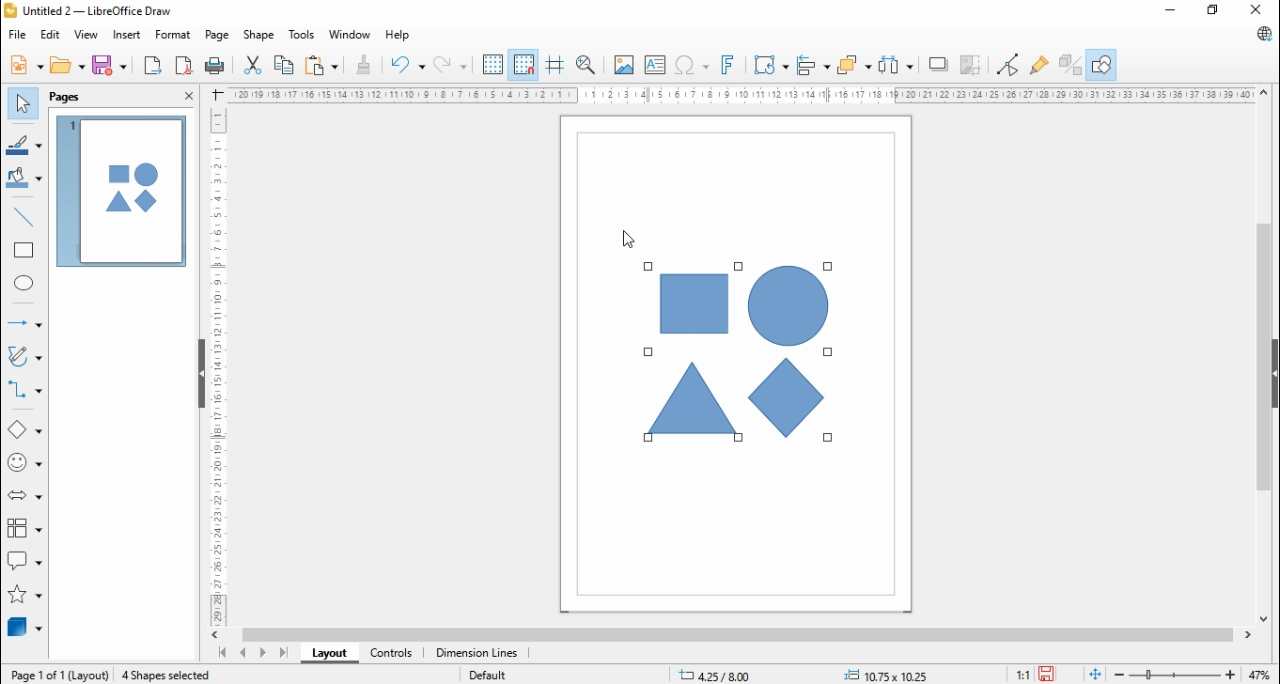  What do you see at coordinates (187, 94) in the screenshot?
I see `close pane` at bounding box center [187, 94].